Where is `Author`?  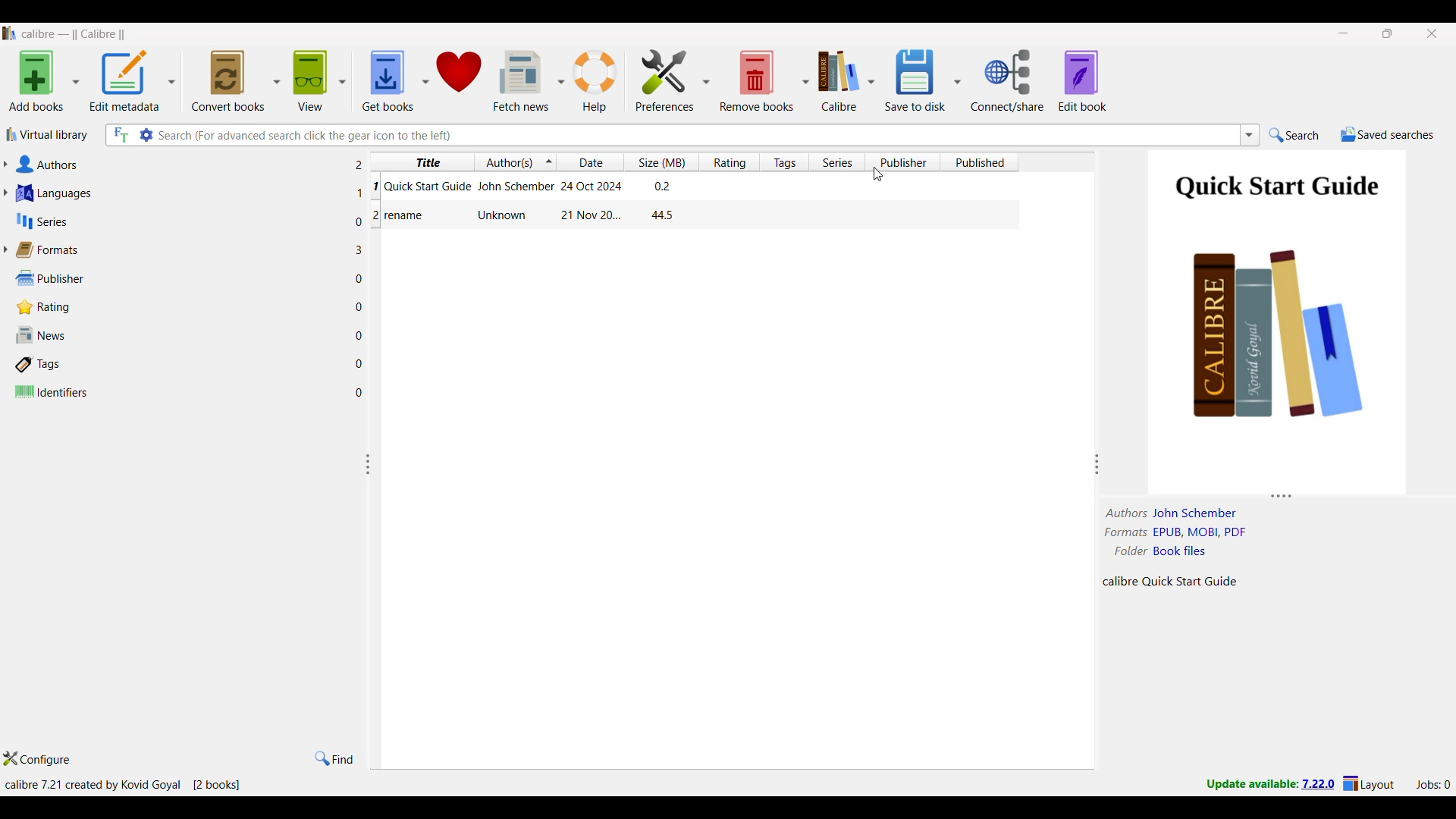 Author is located at coordinates (514, 187).